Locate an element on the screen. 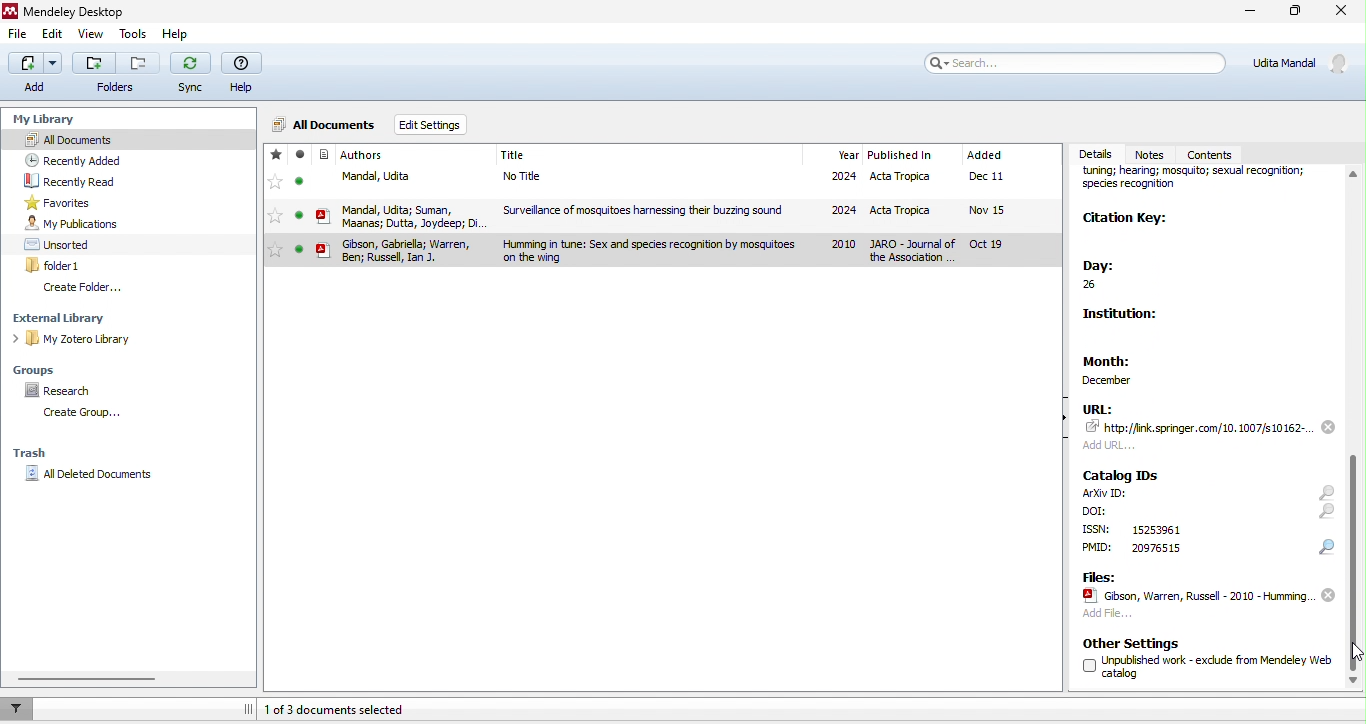  details is located at coordinates (1094, 153).